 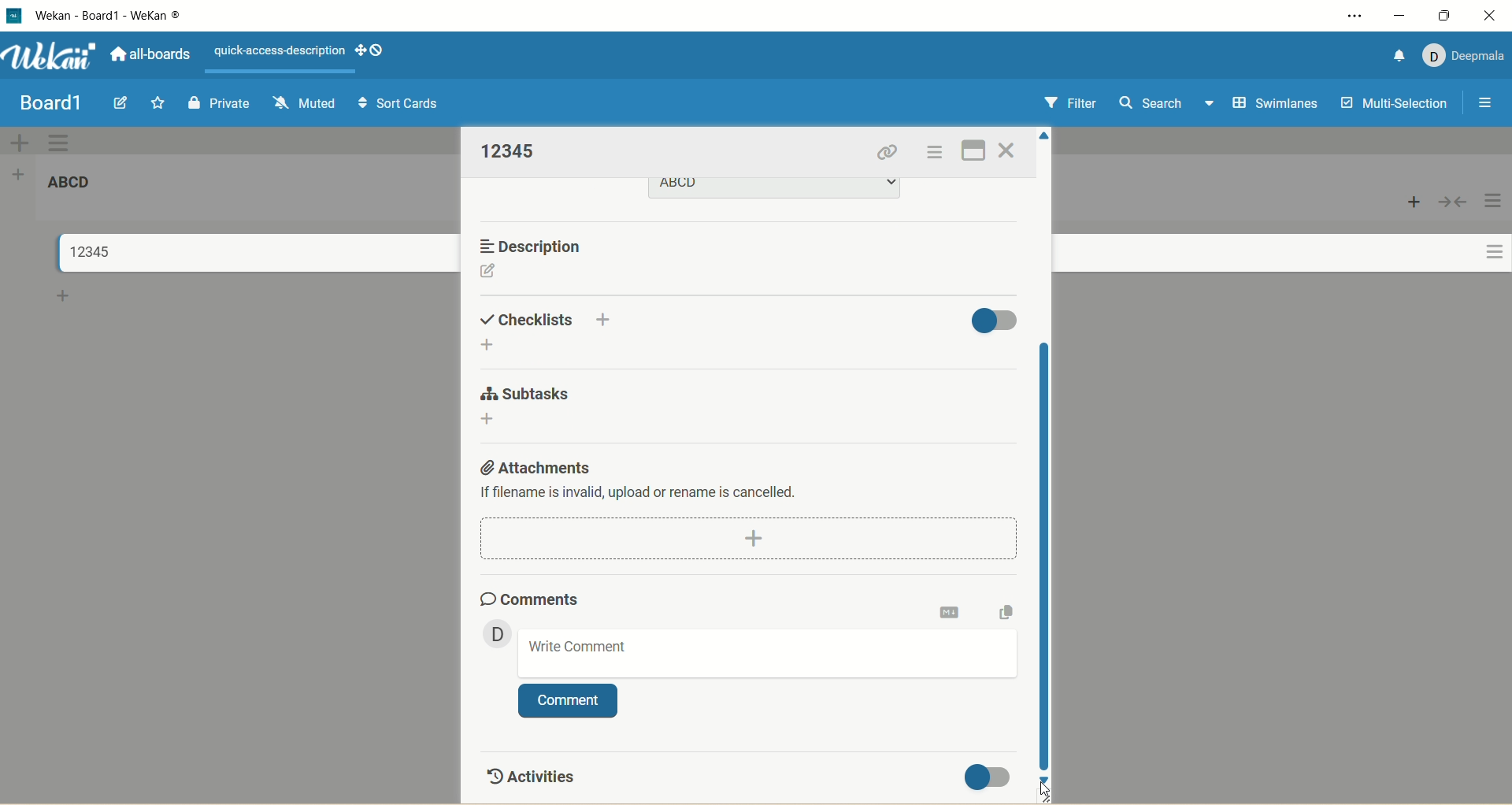 What do you see at coordinates (487, 273) in the screenshot?
I see `edit` at bounding box center [487, 273].